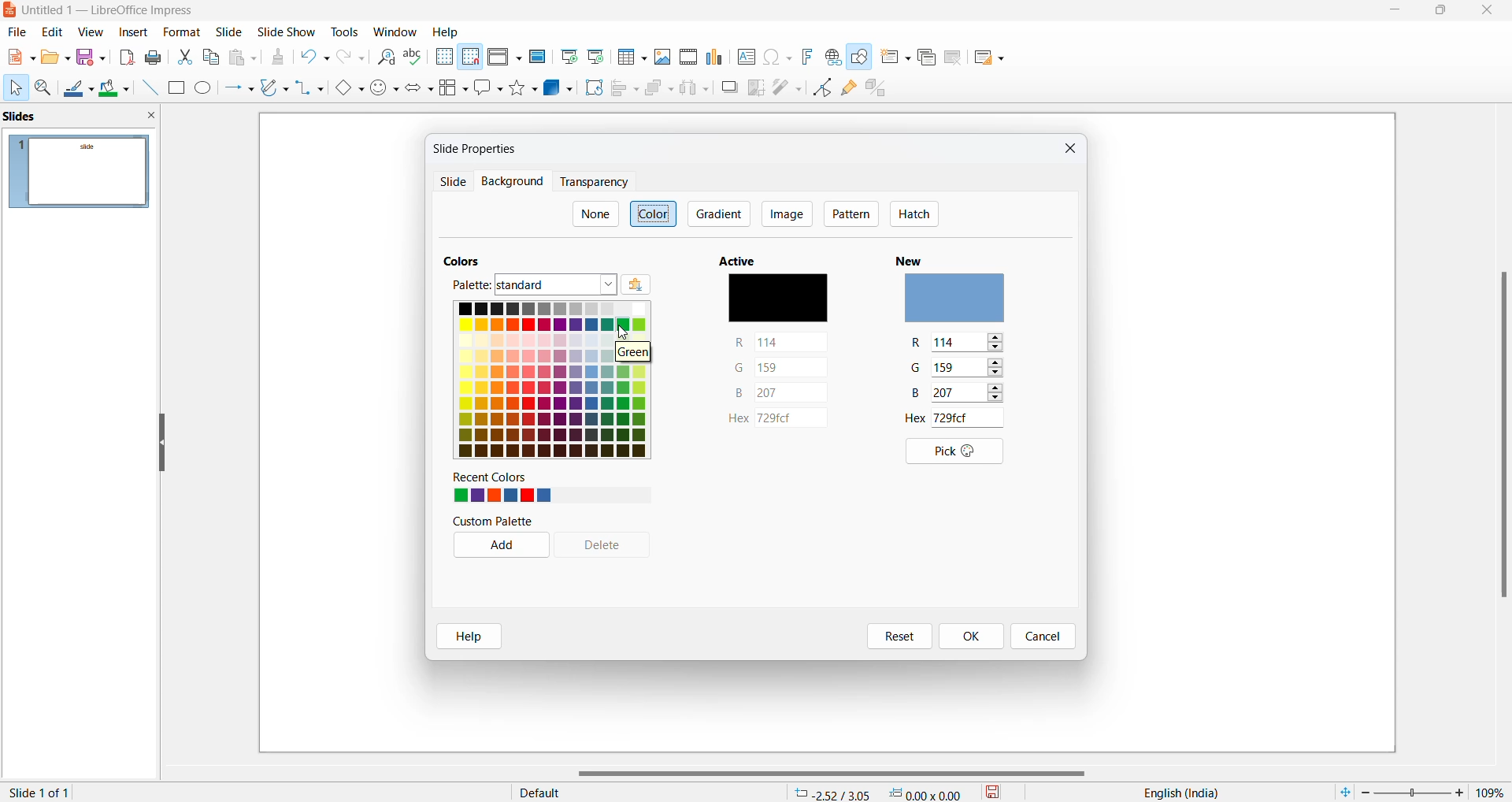 This screenshot has width=1512, height=802. Describe the element at coordinates (631, 57) in the screenshot. I see `insert table` at that location.